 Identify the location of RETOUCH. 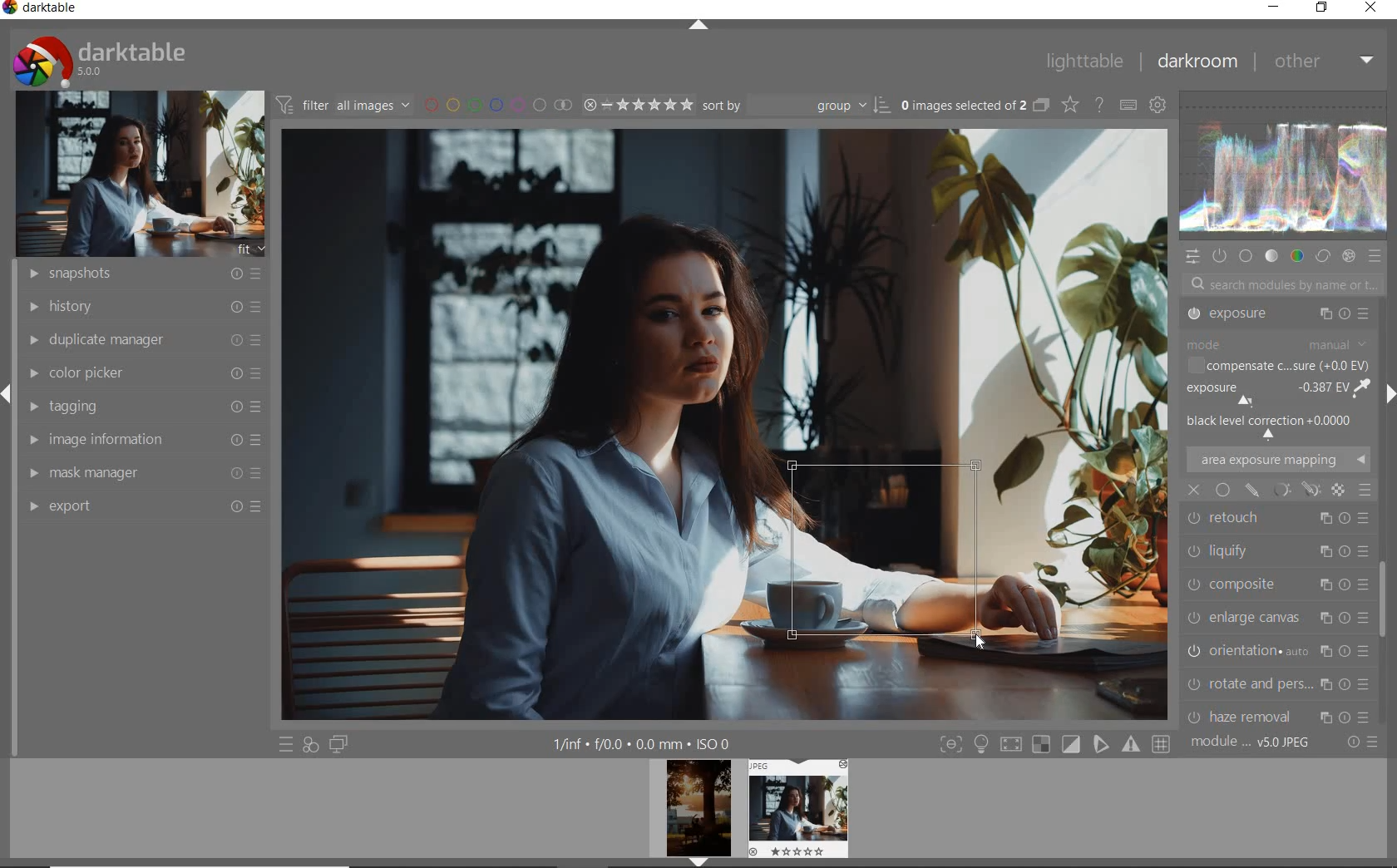
(1276, 420).